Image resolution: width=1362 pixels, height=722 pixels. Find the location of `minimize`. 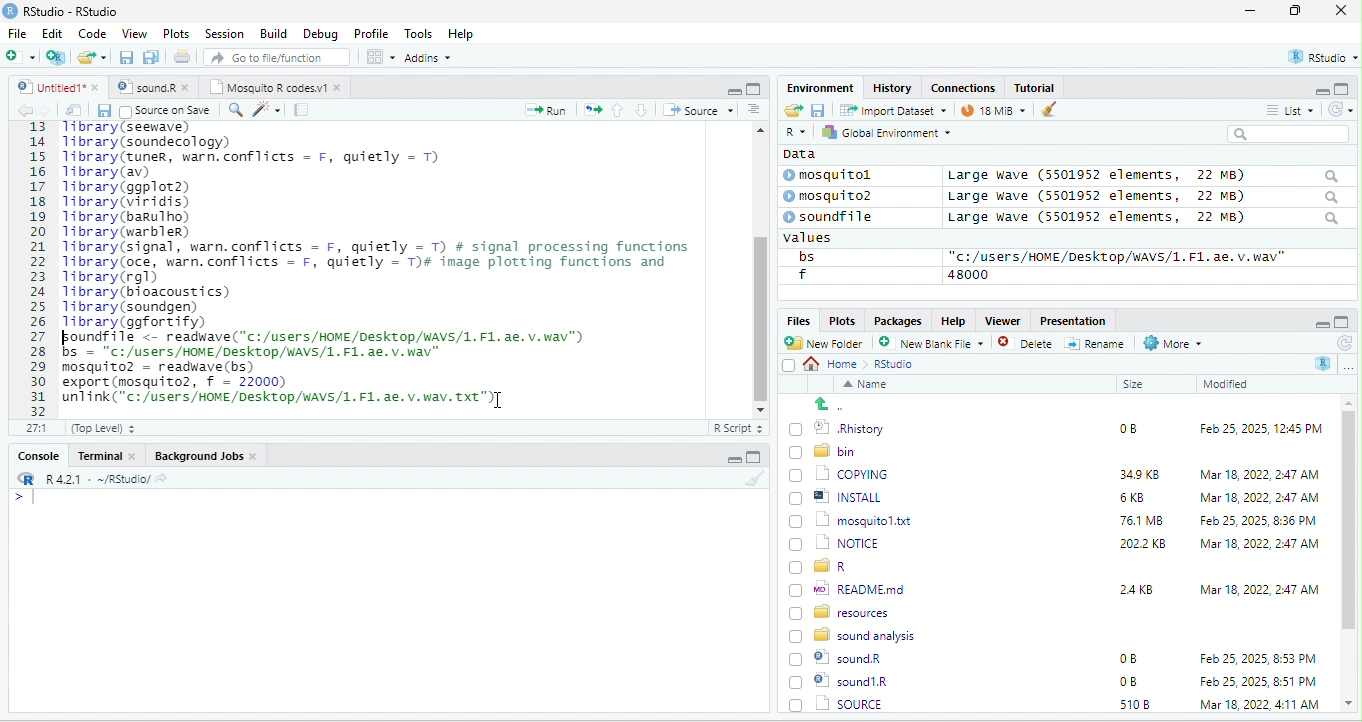

minimize is located at coordinates (1320, 323).